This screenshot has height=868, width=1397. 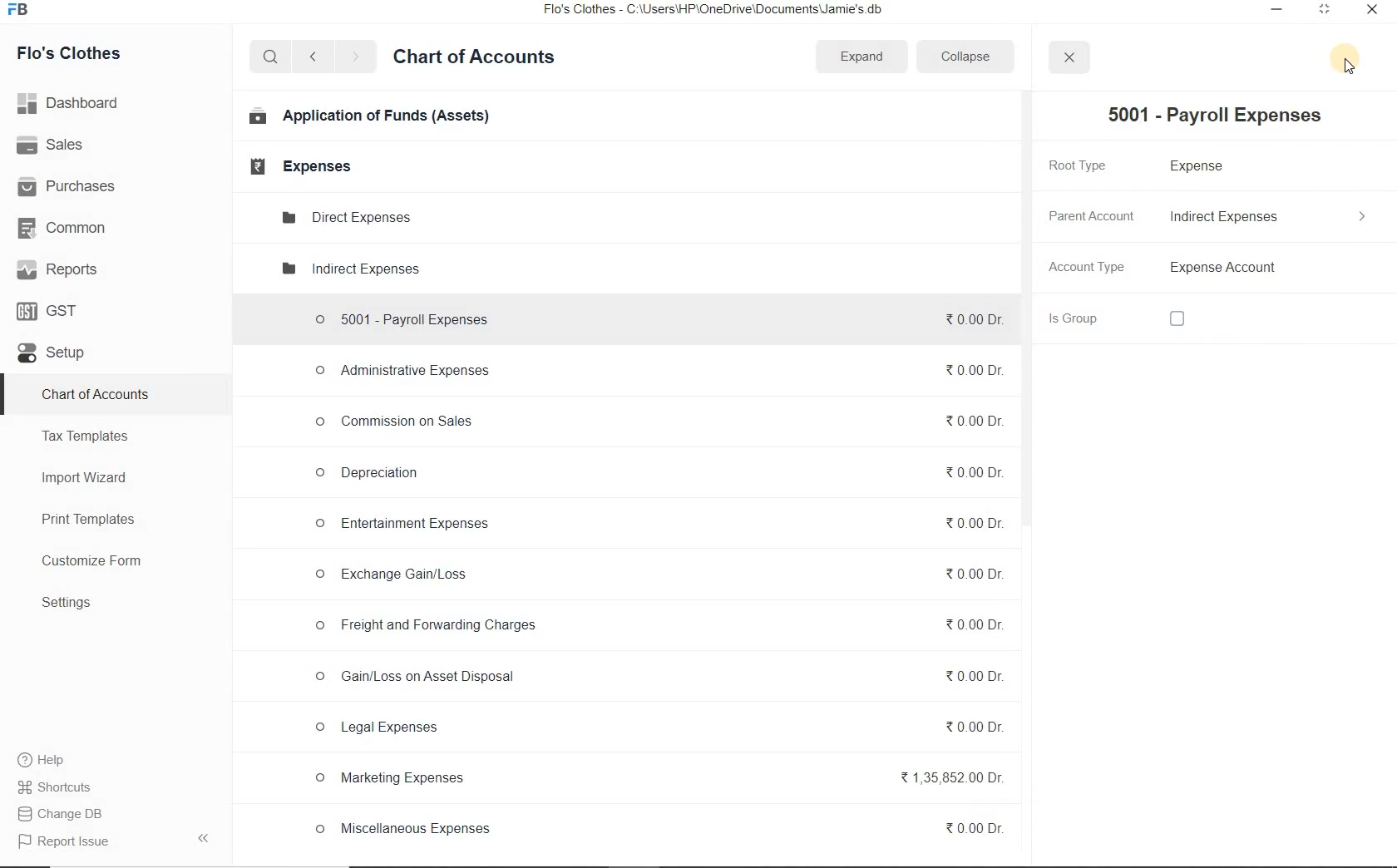 What do you see at coordinates (1177, 320) in the screenshot?
I see `checkbox` at bounding box center [1177, 320].